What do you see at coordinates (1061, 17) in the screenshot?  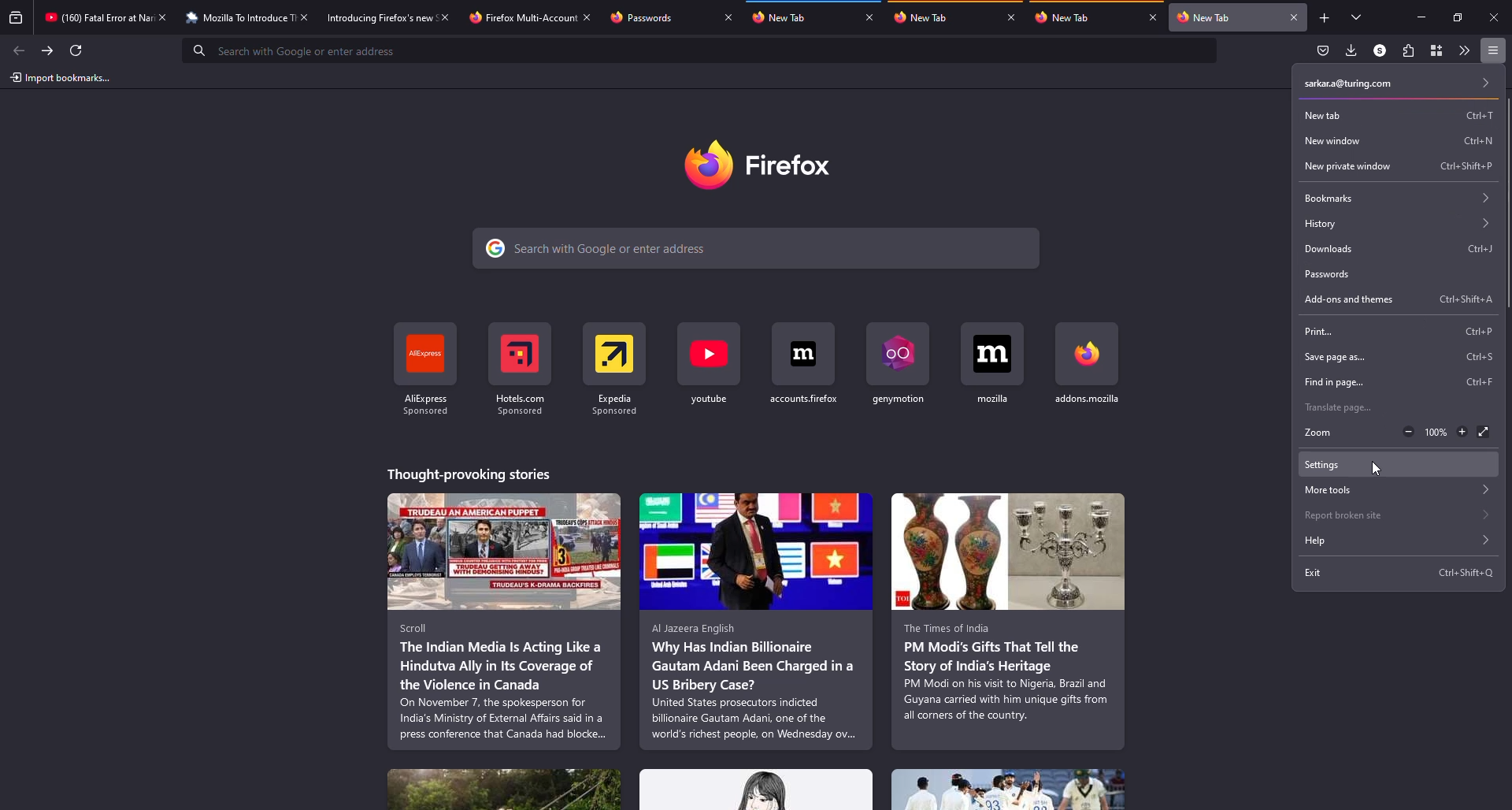 I see `tab` at bounding box center [1061, 17].